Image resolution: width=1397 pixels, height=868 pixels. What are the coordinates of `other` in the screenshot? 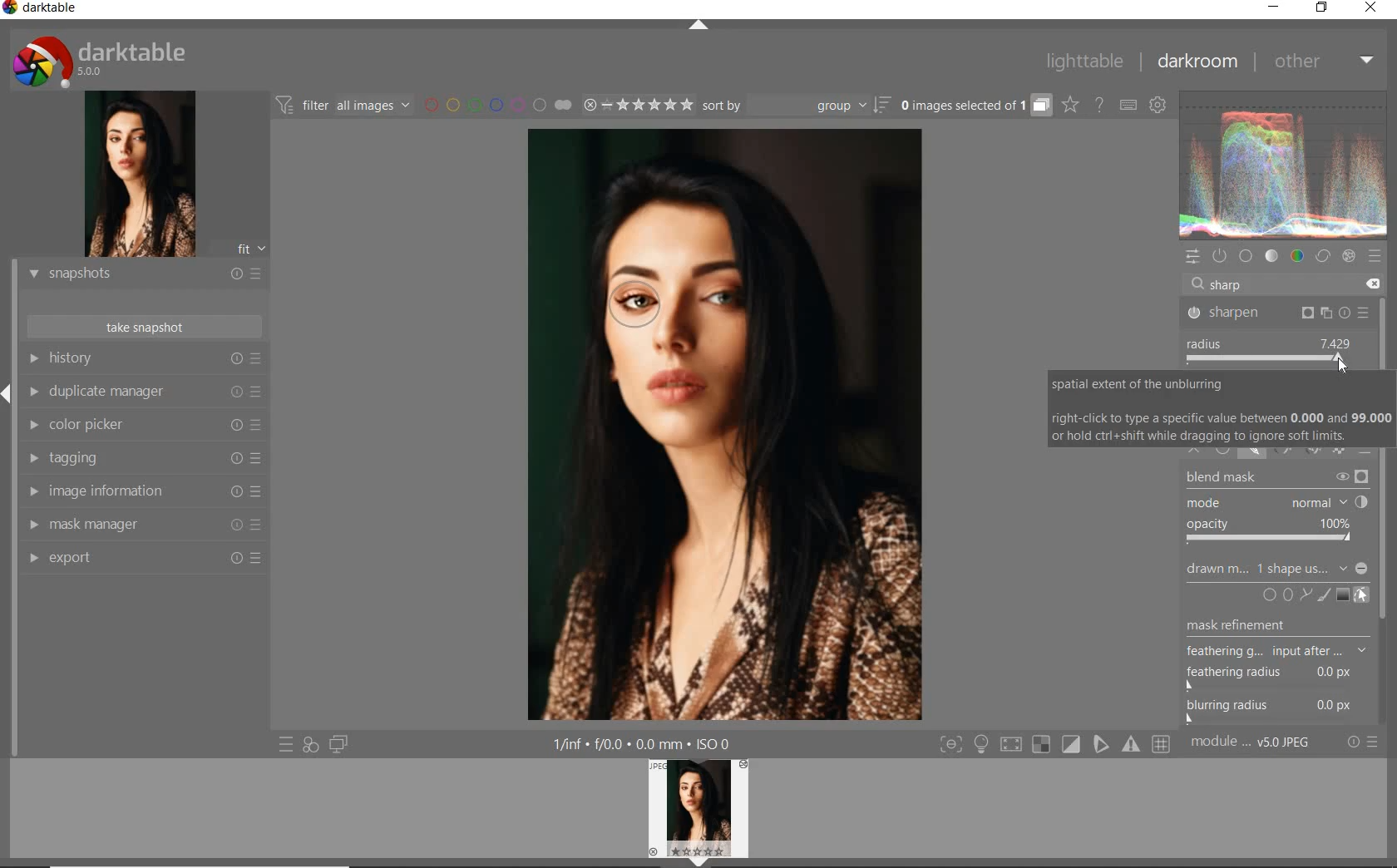 It's located at (1320, 62).